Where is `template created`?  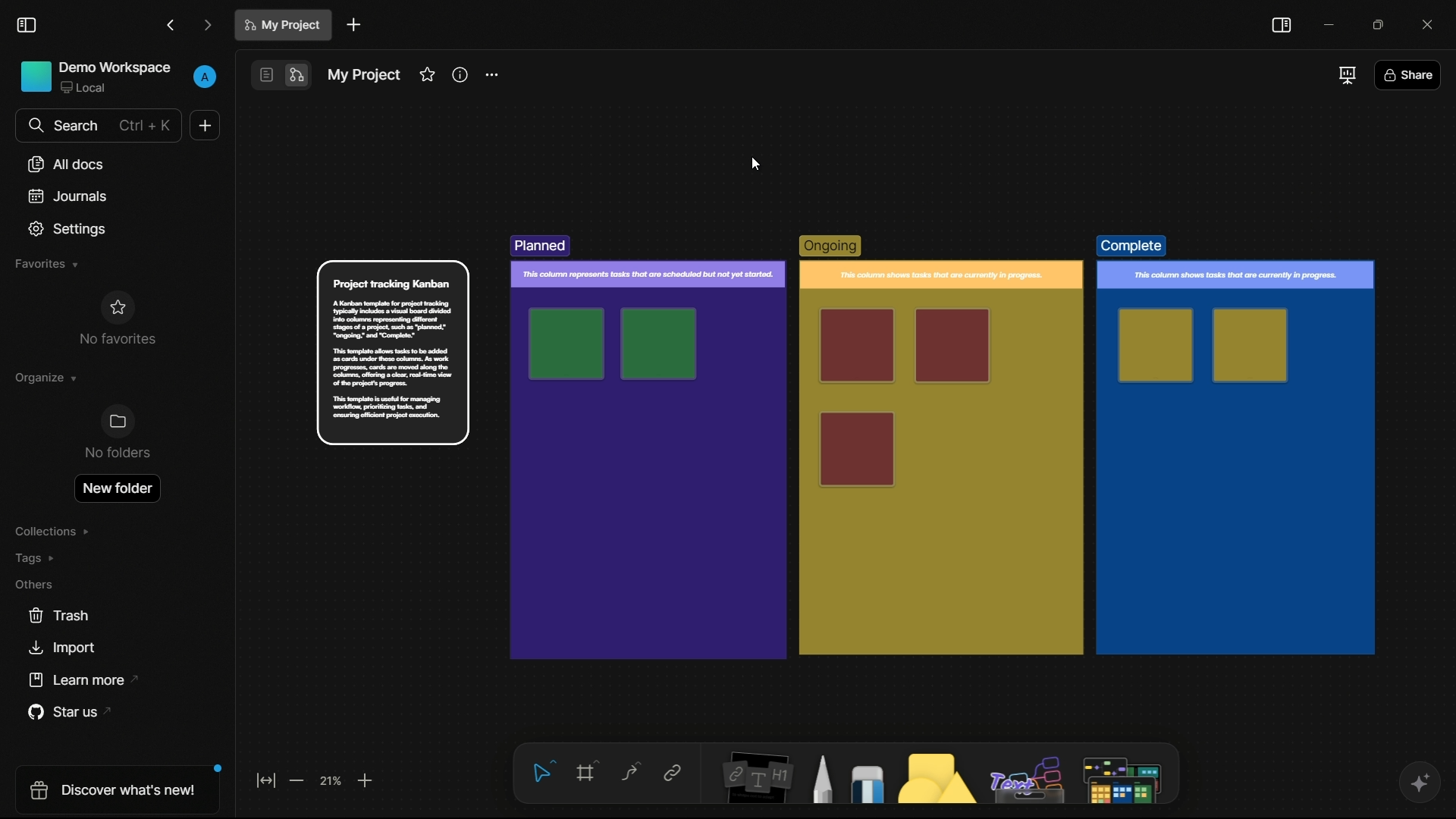
template created is located at coordinates (849, 447).